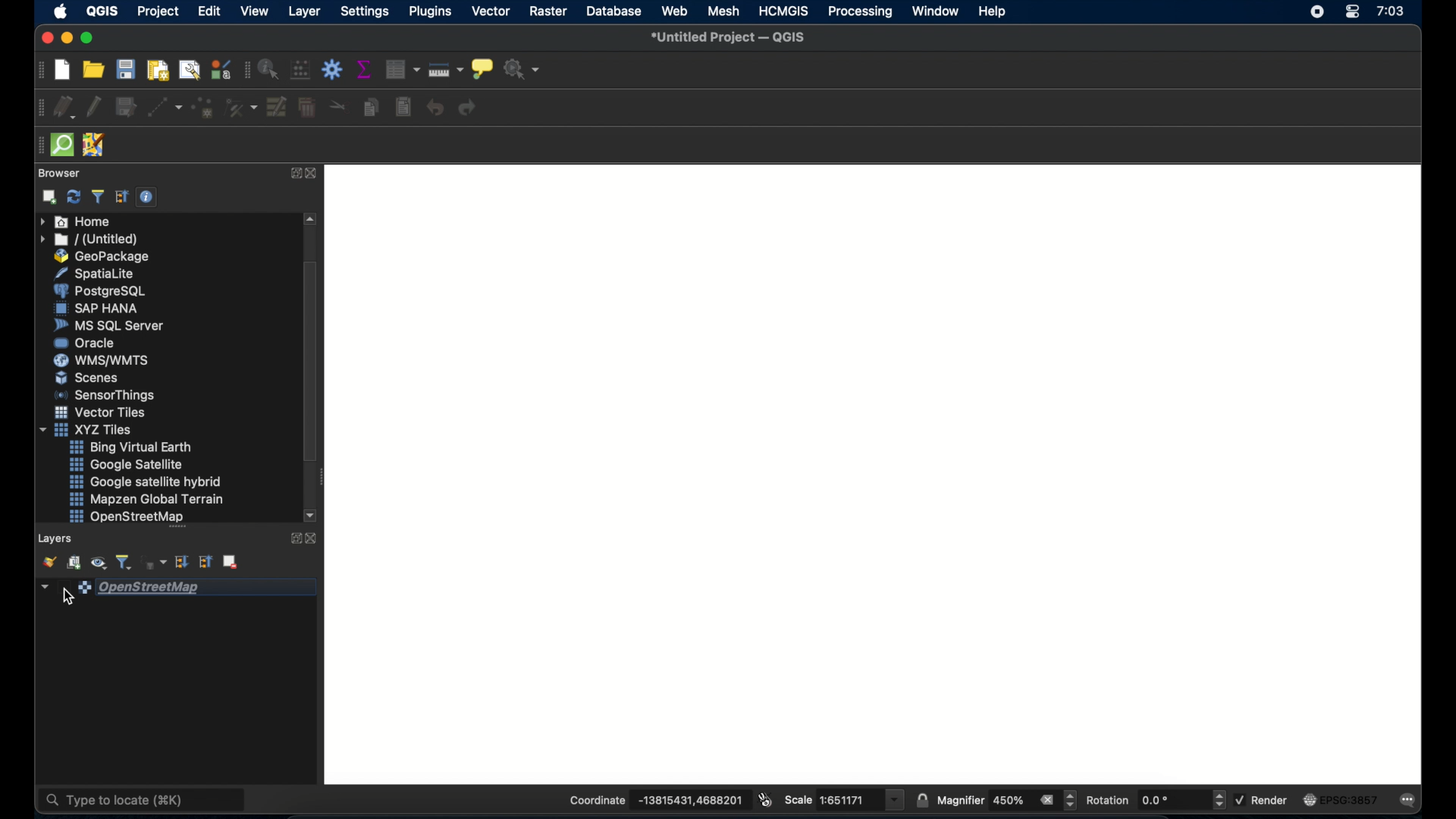 The image size is (1456, 819). Describe the element at coordinates (202, 108) in the screenshot. I see `add point feature` at that location.